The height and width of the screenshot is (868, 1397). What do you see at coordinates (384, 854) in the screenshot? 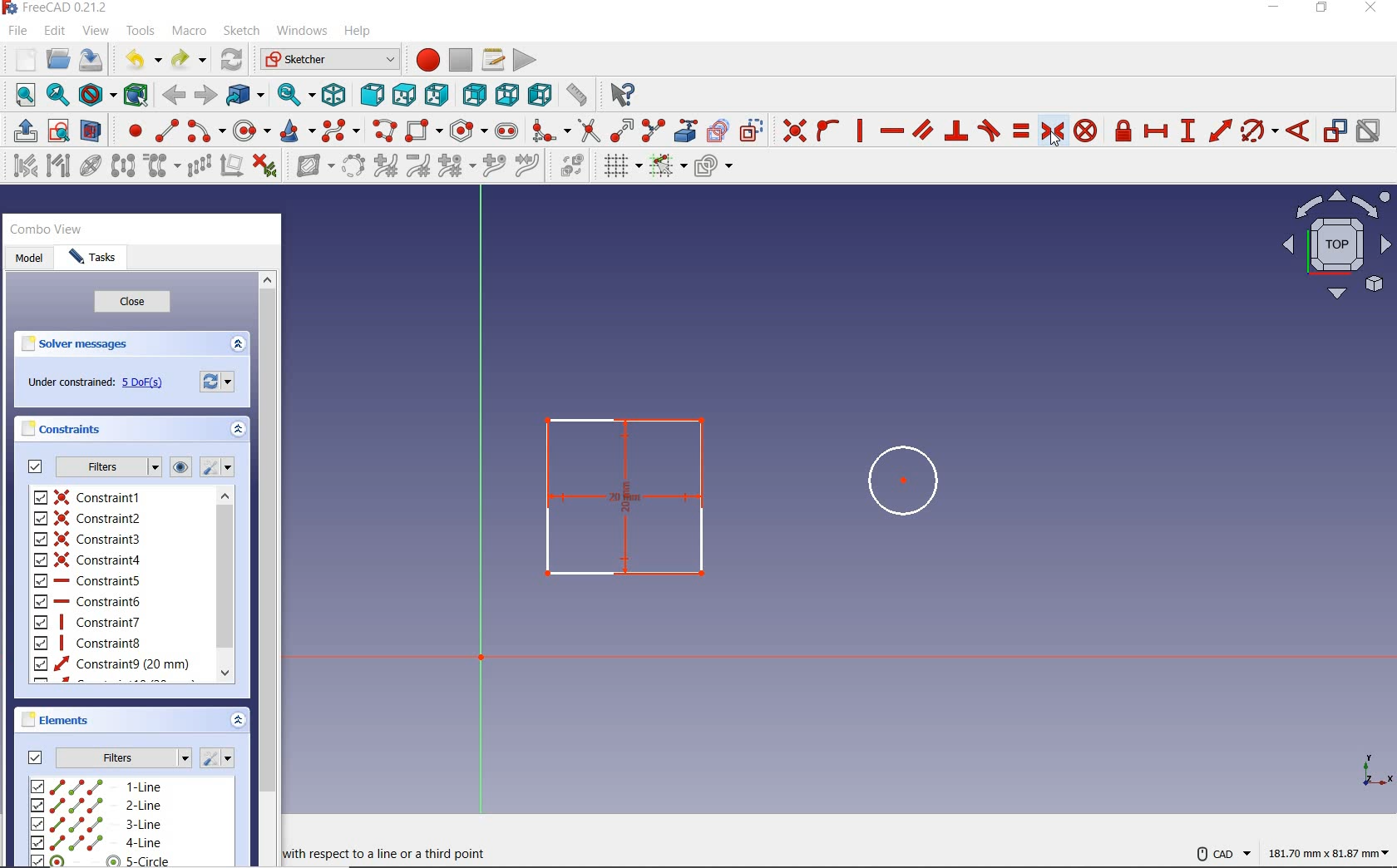
I see `with respect to a line or a third point` at bounding box center [384, 854].